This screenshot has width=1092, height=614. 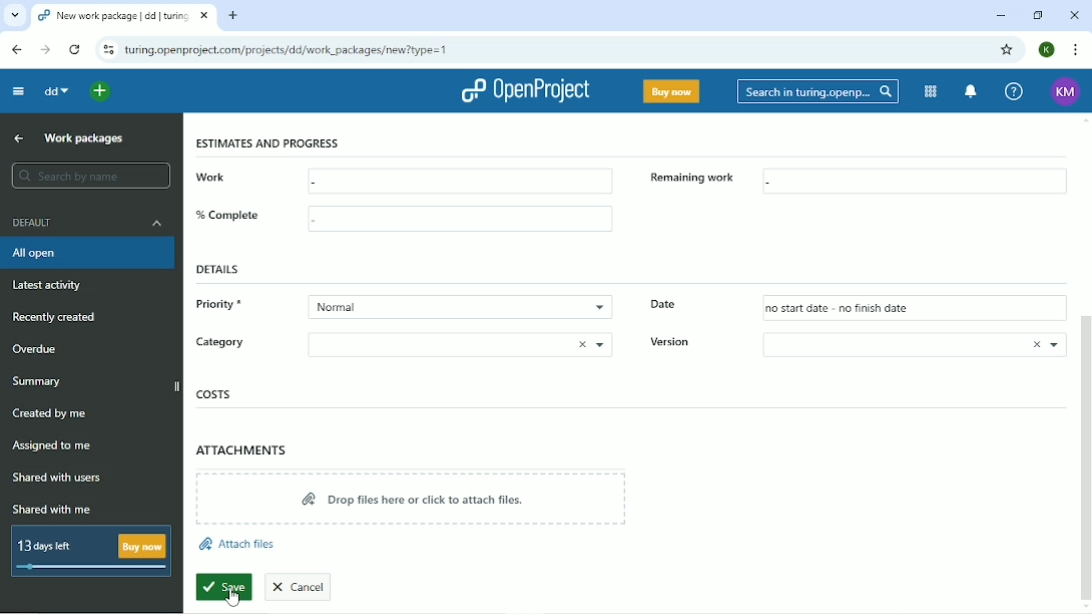 What do you see at coordinates (219, 267) in the screenshot?
I see `Details` at bounding box center [219, 267].